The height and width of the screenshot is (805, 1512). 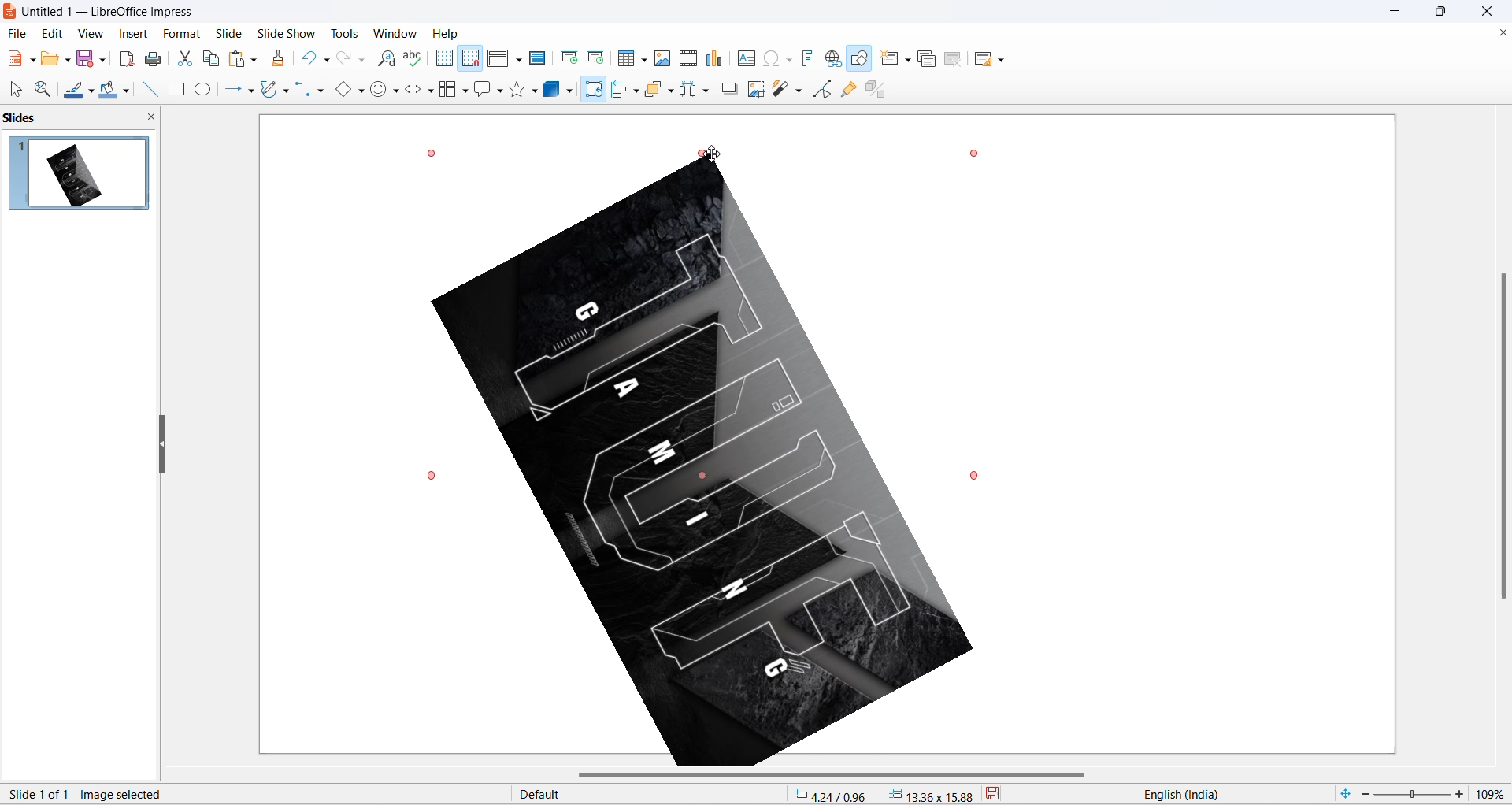 What do you see at coordinates (594, 84) in the screenshot?
I see `cursor` at bounding box center [594, 84].